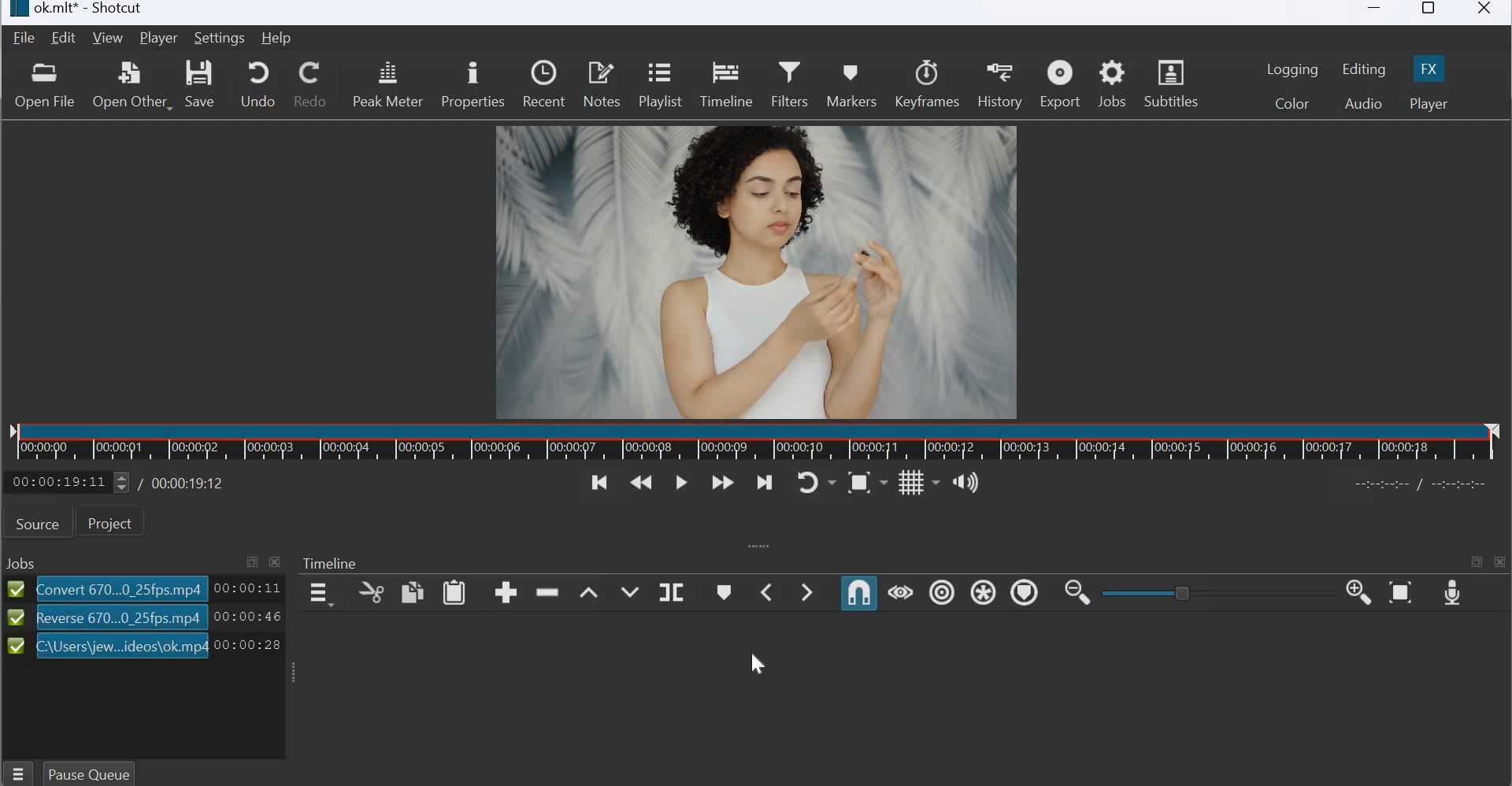 The width and height of the screenshot is (1512, 786). Describe the element at coordinates (724, 483) in the screenshot. I see `Play quickly forwards` at that location.